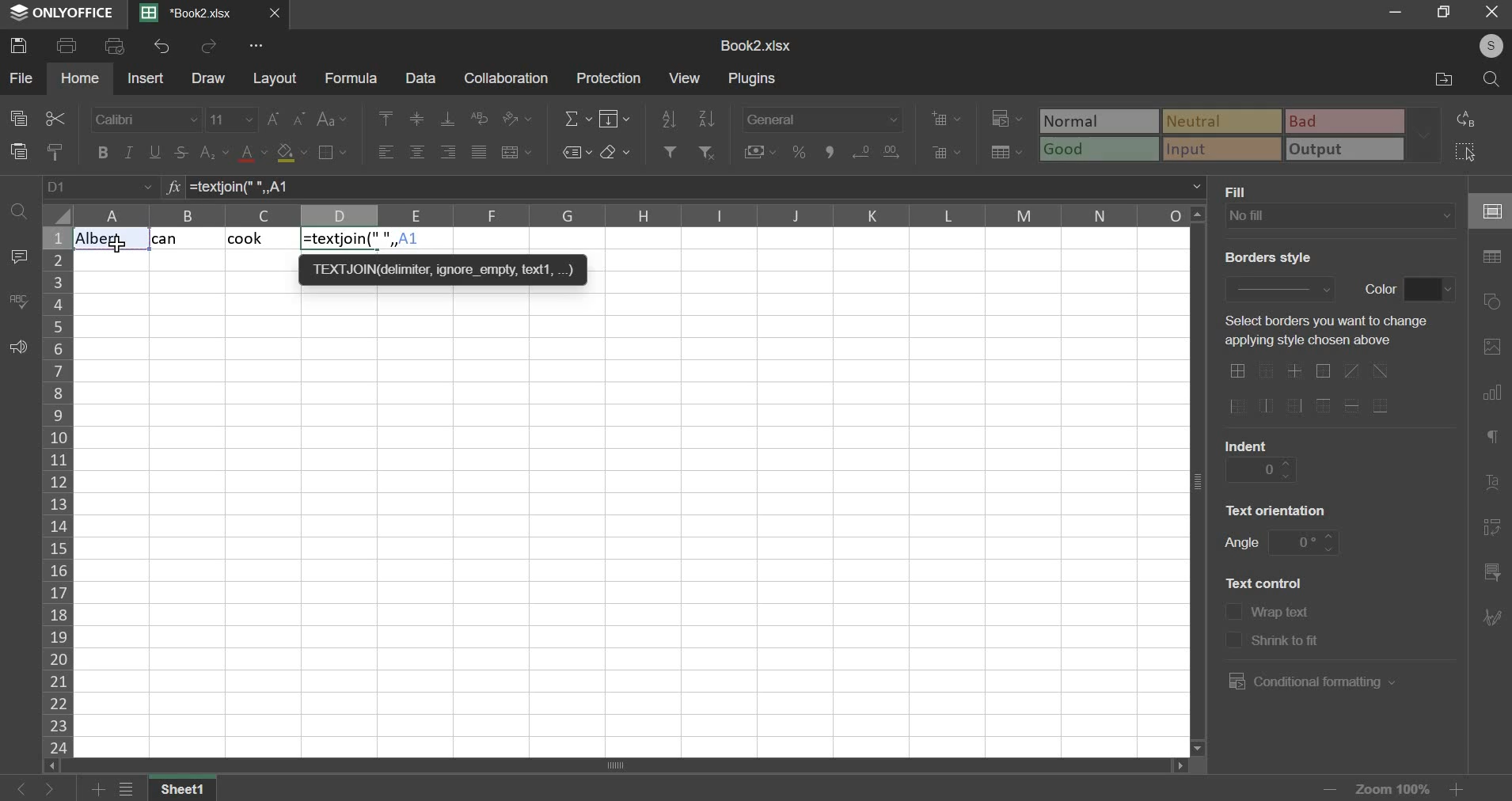  What do you see at coordinates (1491, 348) in the screenshot?
I see `picture or video` at bounding box center [1491, 348].